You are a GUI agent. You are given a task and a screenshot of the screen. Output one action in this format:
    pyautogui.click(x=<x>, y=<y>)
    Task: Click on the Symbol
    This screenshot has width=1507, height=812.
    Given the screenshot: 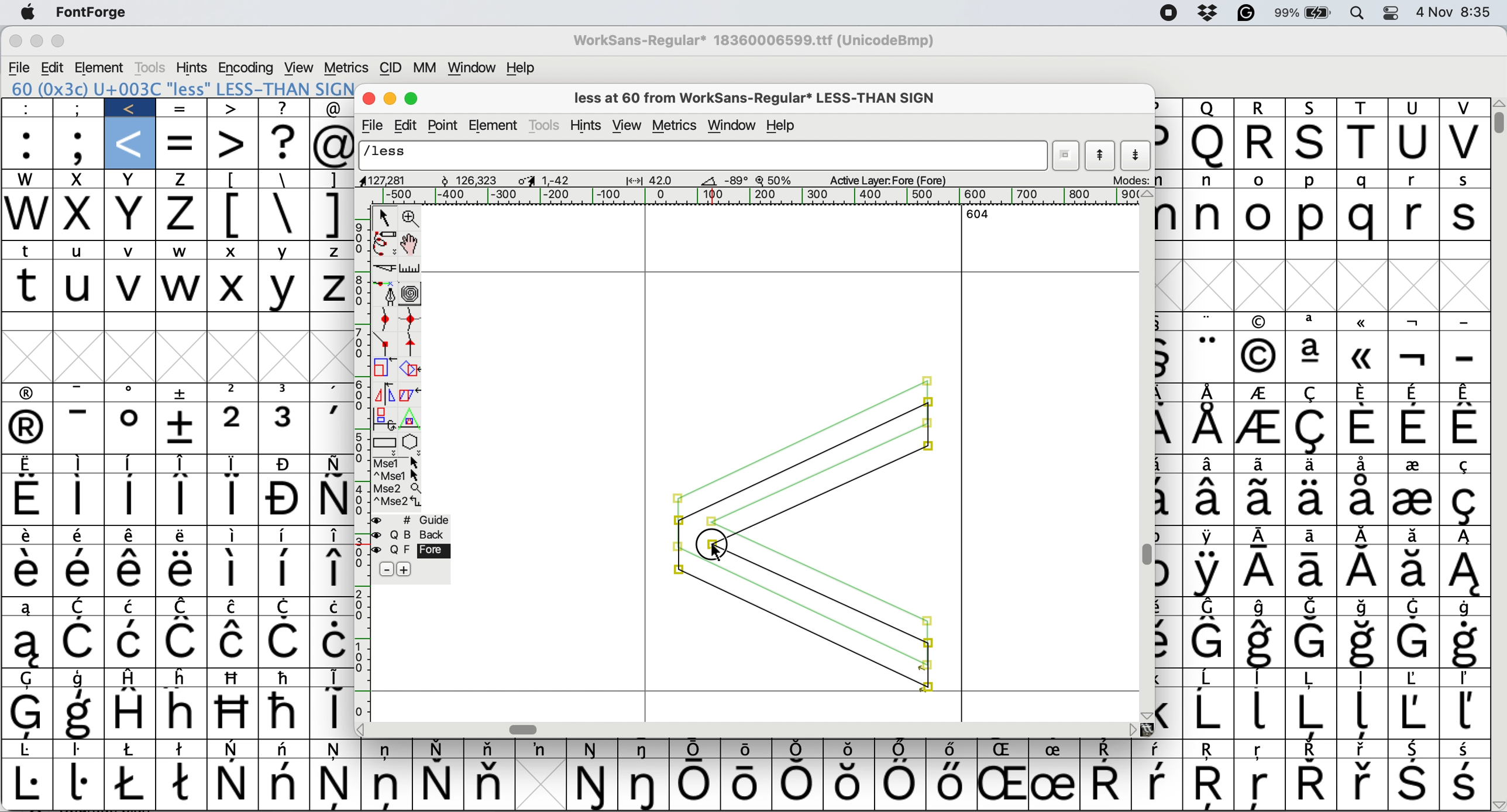 What is the action you would take?
    pyautogui.click(x=1462, y=572)
    